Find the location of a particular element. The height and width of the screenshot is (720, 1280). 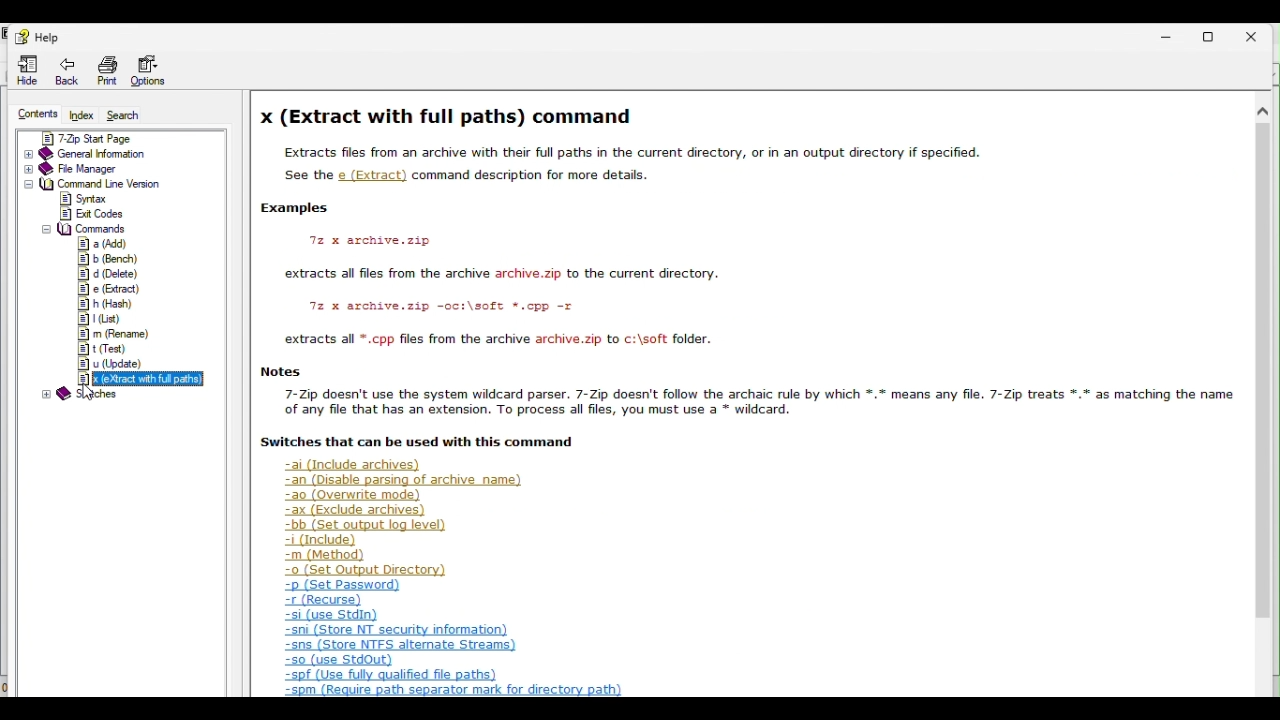

sketches is located at coordinates (95, 395).